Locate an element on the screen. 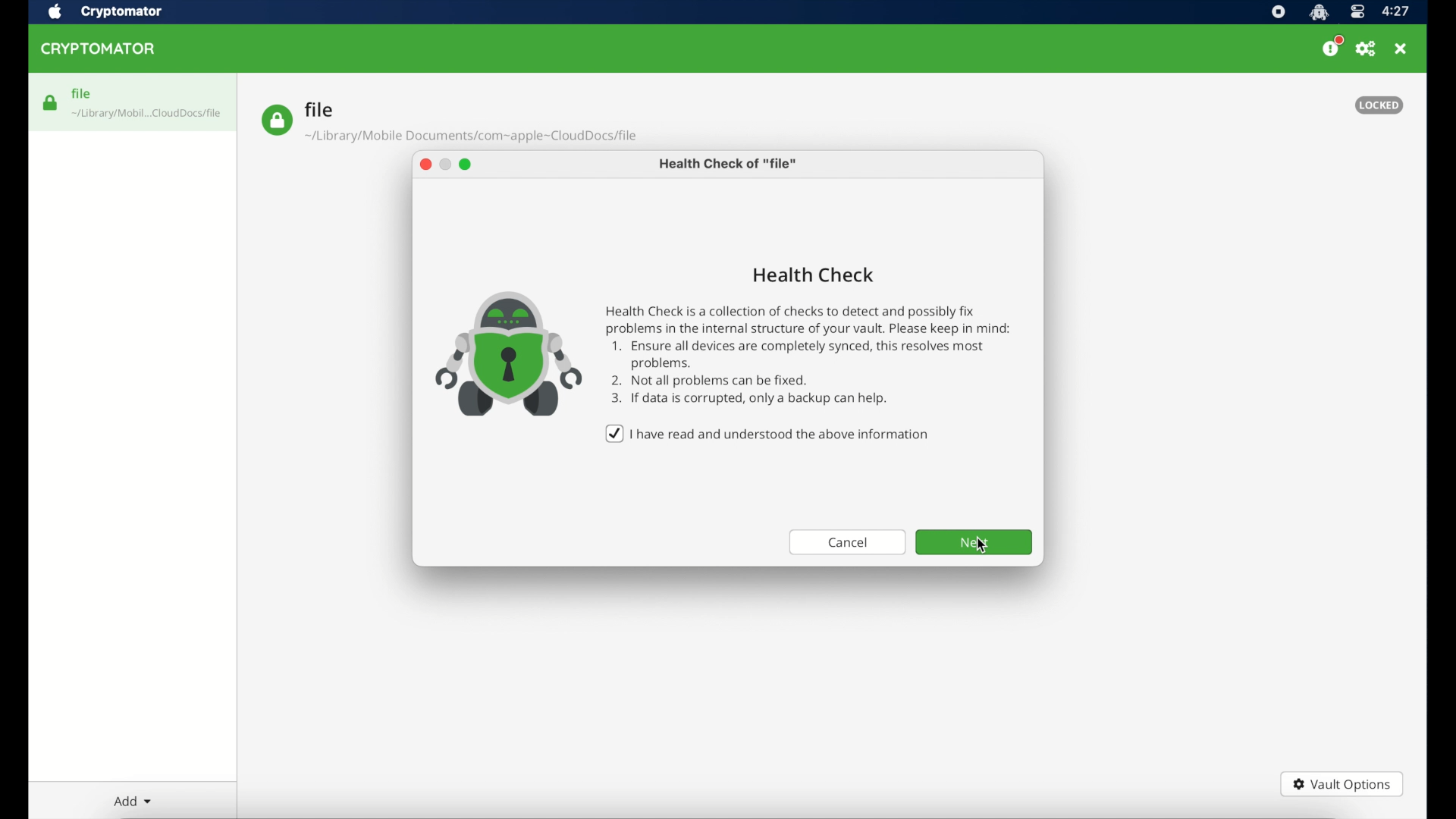 This screenshot has height=819, width=1456. apple icon is located at coordinates (55, 12).